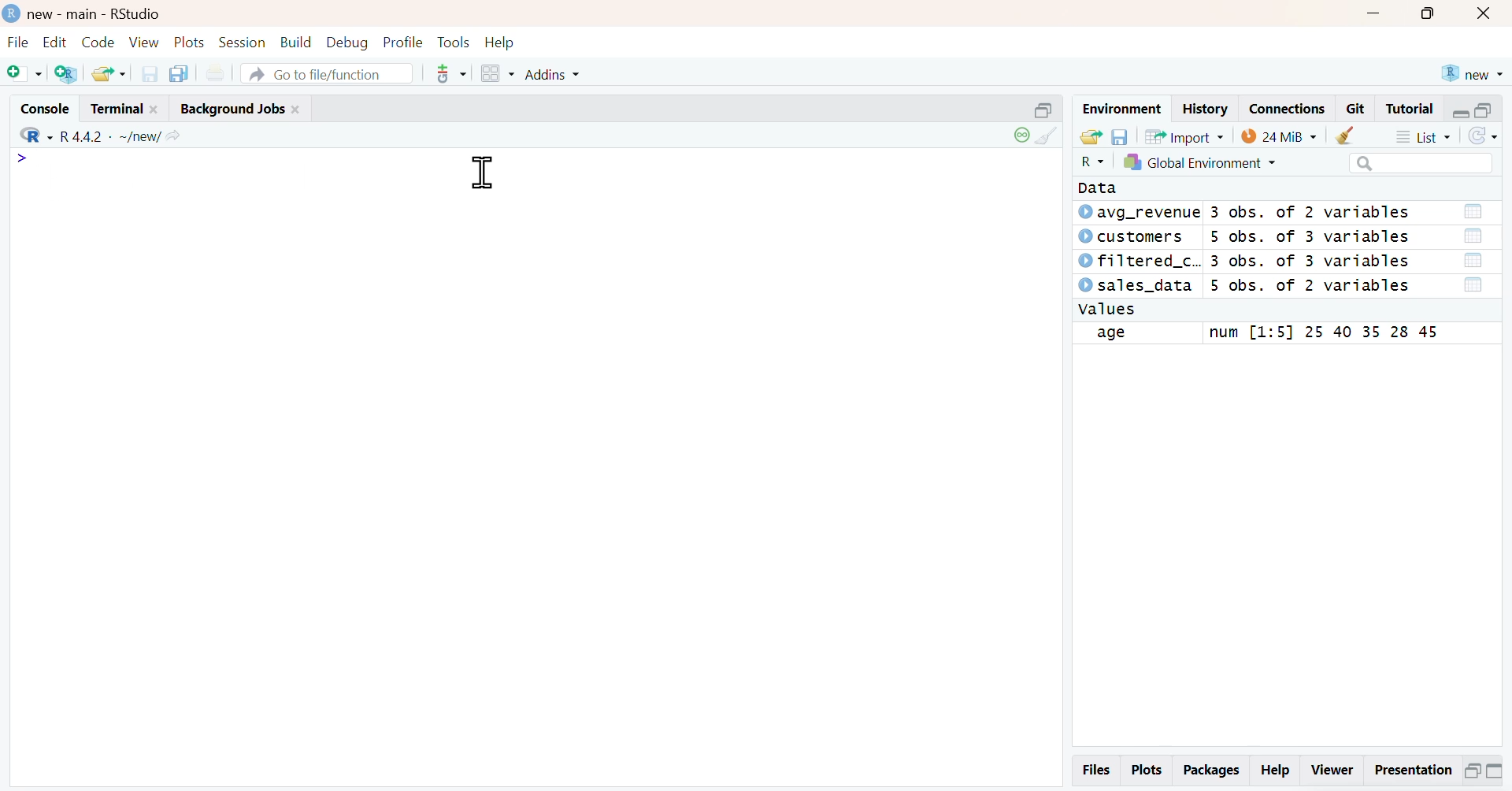 The image size is (1512, 791). Describe the element at coordinates (1104, 188) in the screenshot. I see `Data` at that location.